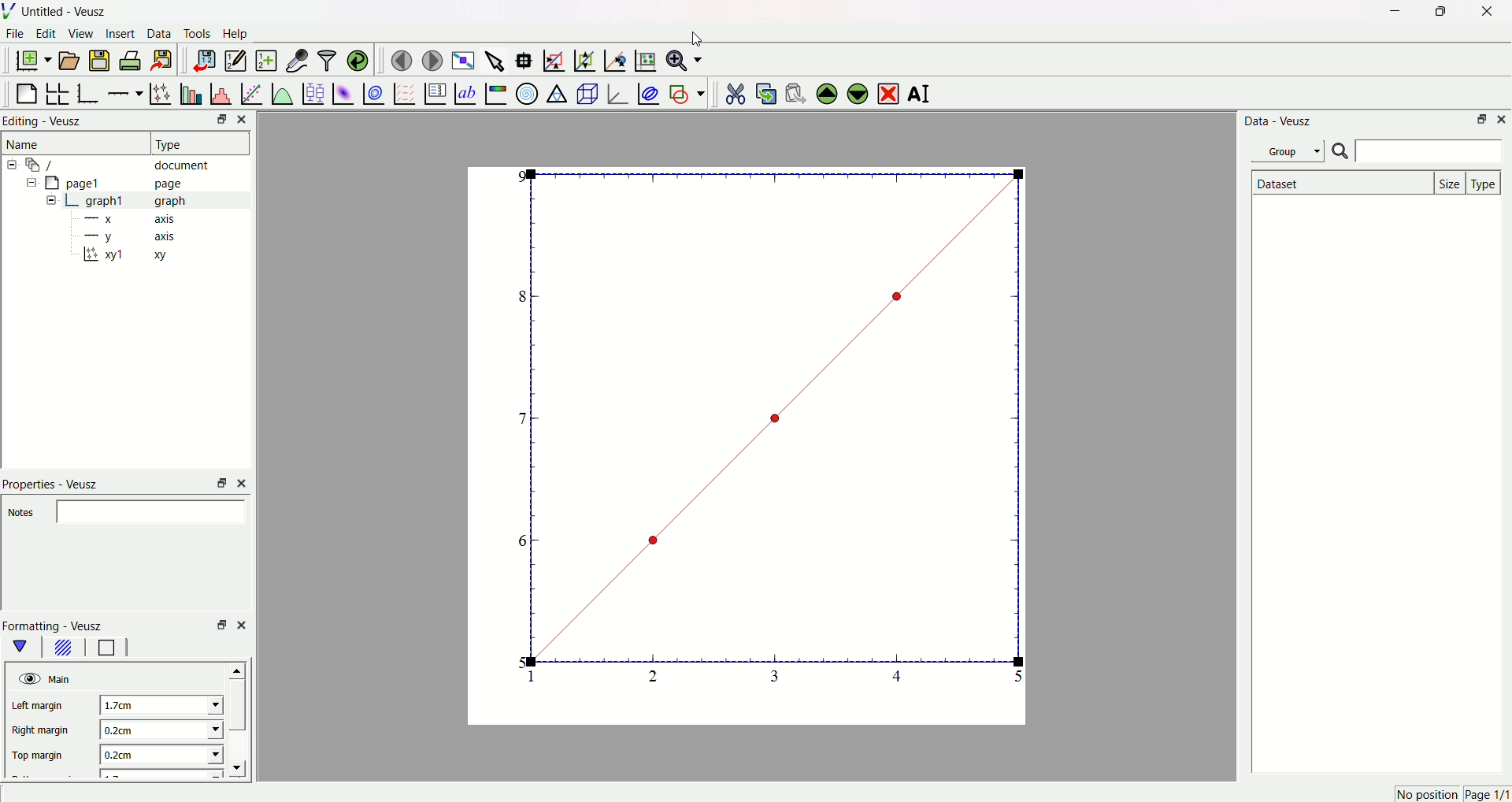 The width and height of the screenshot is (1512, 802). I want to click on move to previous page, so click(401, 60).